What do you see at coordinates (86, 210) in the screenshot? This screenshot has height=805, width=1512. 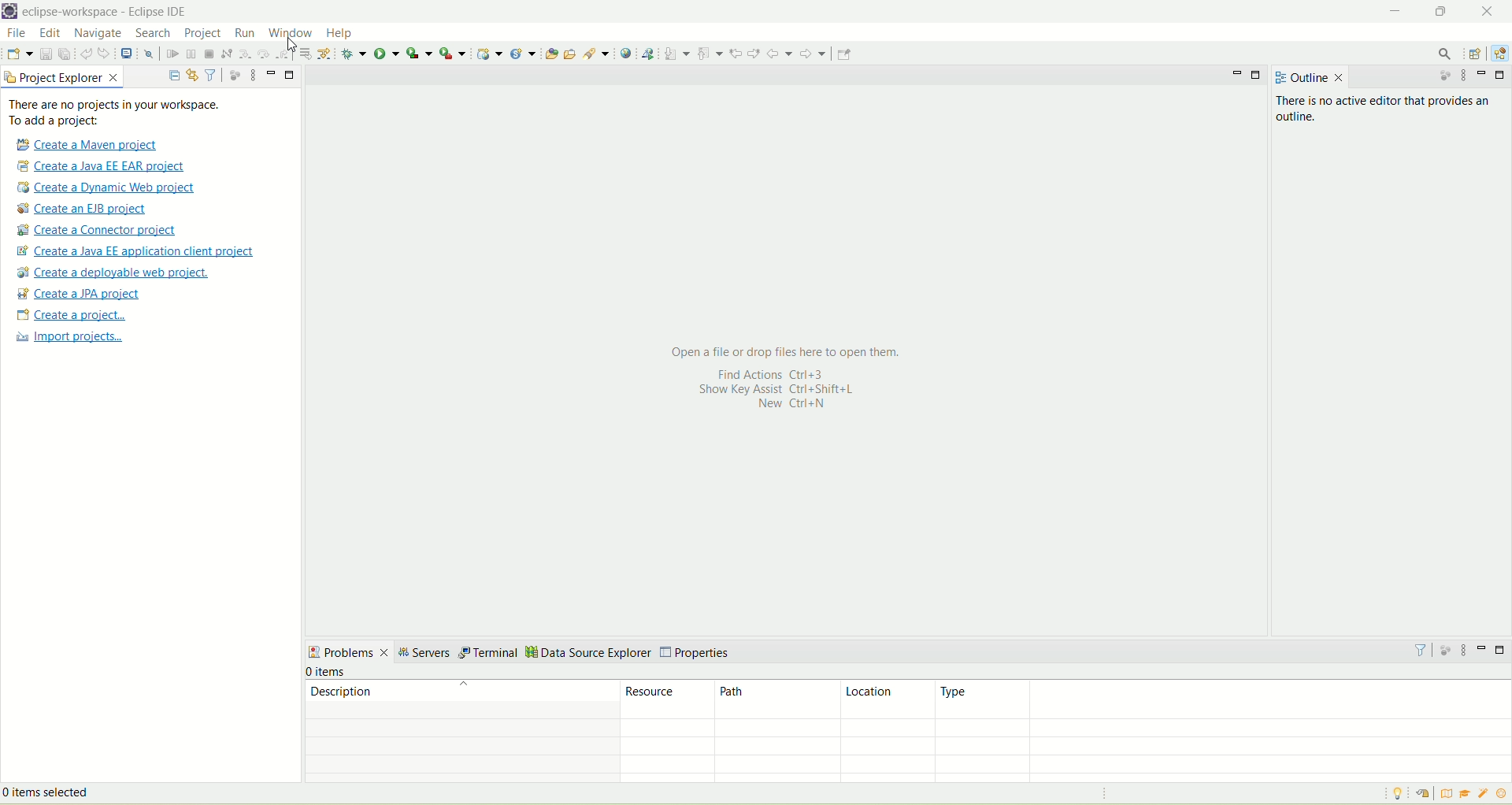 I see `create a EJB project` at bounding box center [86, 210].